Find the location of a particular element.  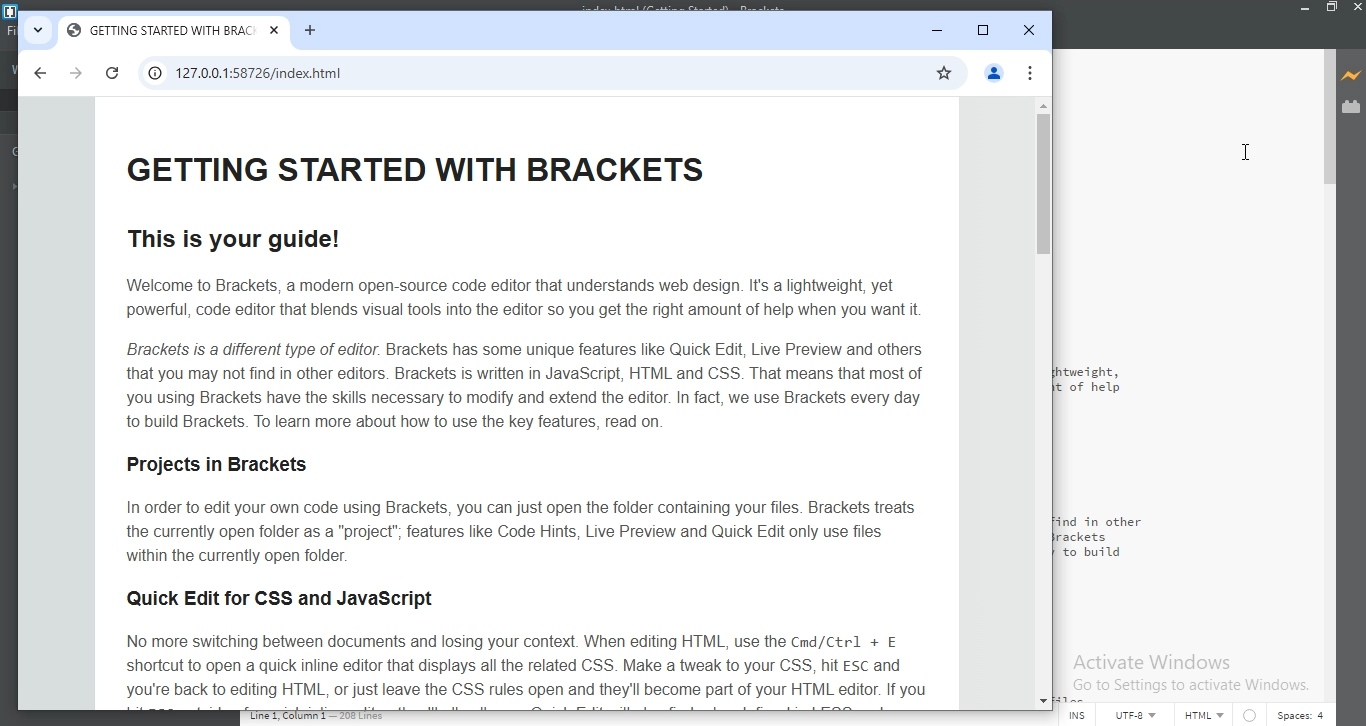

HTML is located at coordinates (1206, 717).